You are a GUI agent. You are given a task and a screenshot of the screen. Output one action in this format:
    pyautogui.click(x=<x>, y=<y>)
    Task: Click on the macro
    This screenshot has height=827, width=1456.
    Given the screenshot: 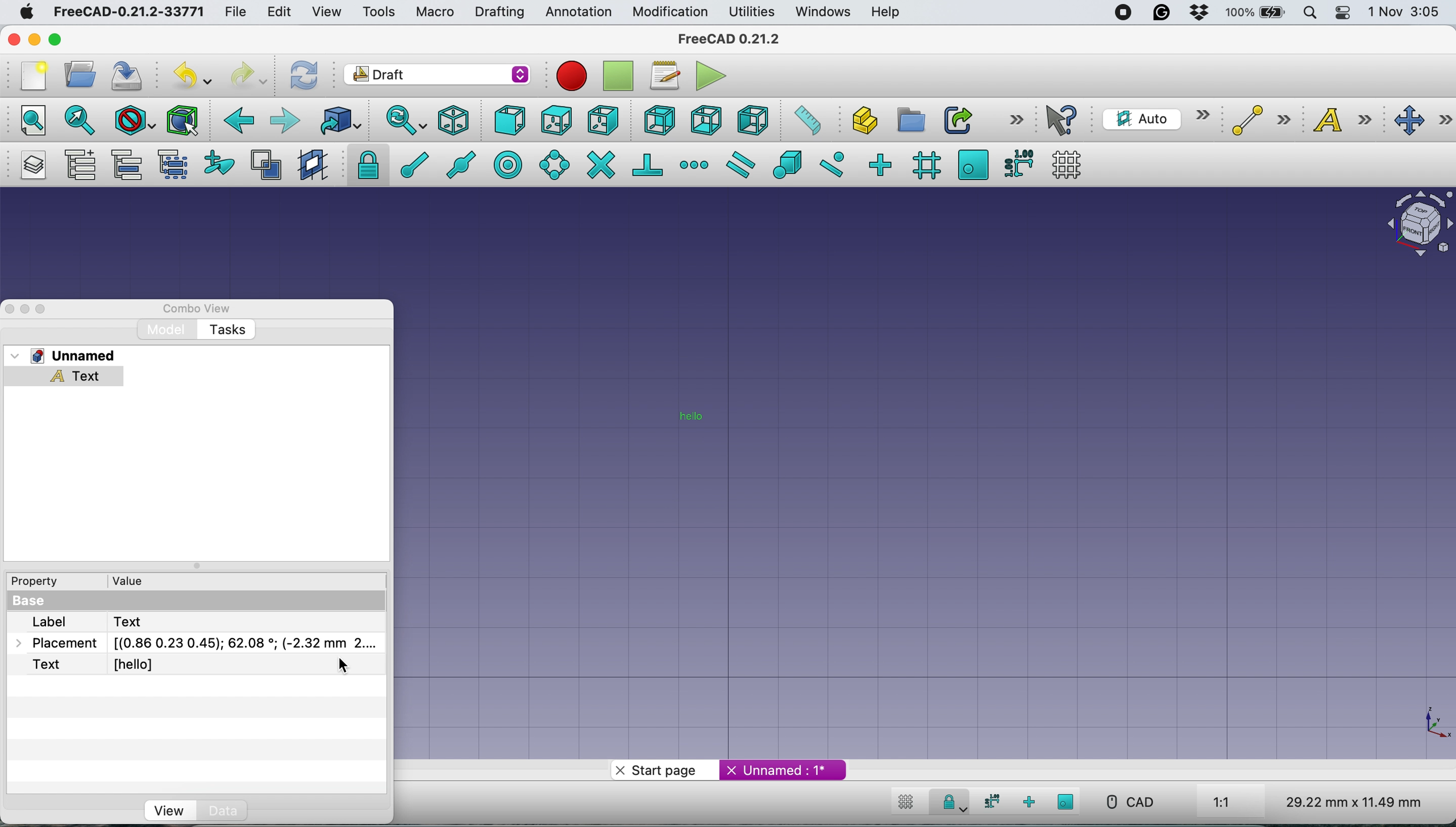 What is the action you would take?
    pyautogui.click(x=432, y=11)
    